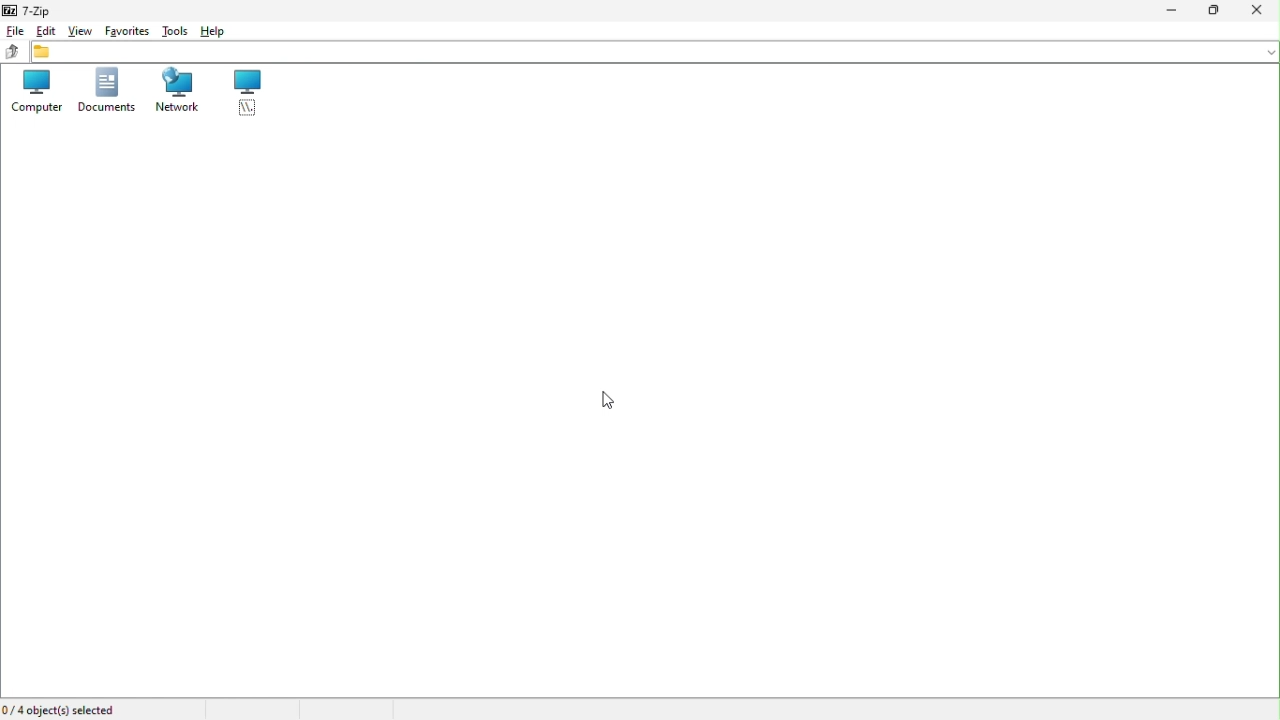  I want to click on Mouse, so click(593, 401).